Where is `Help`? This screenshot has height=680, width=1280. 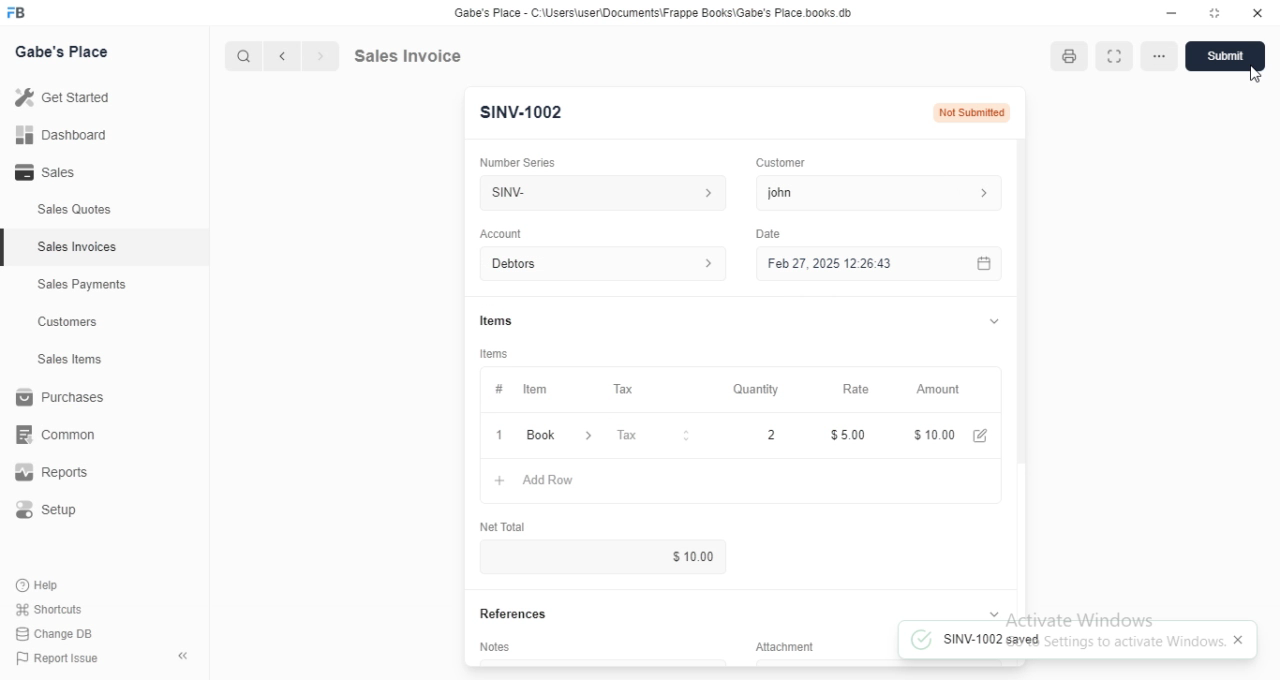
Help is located at coordinates (44, 585).